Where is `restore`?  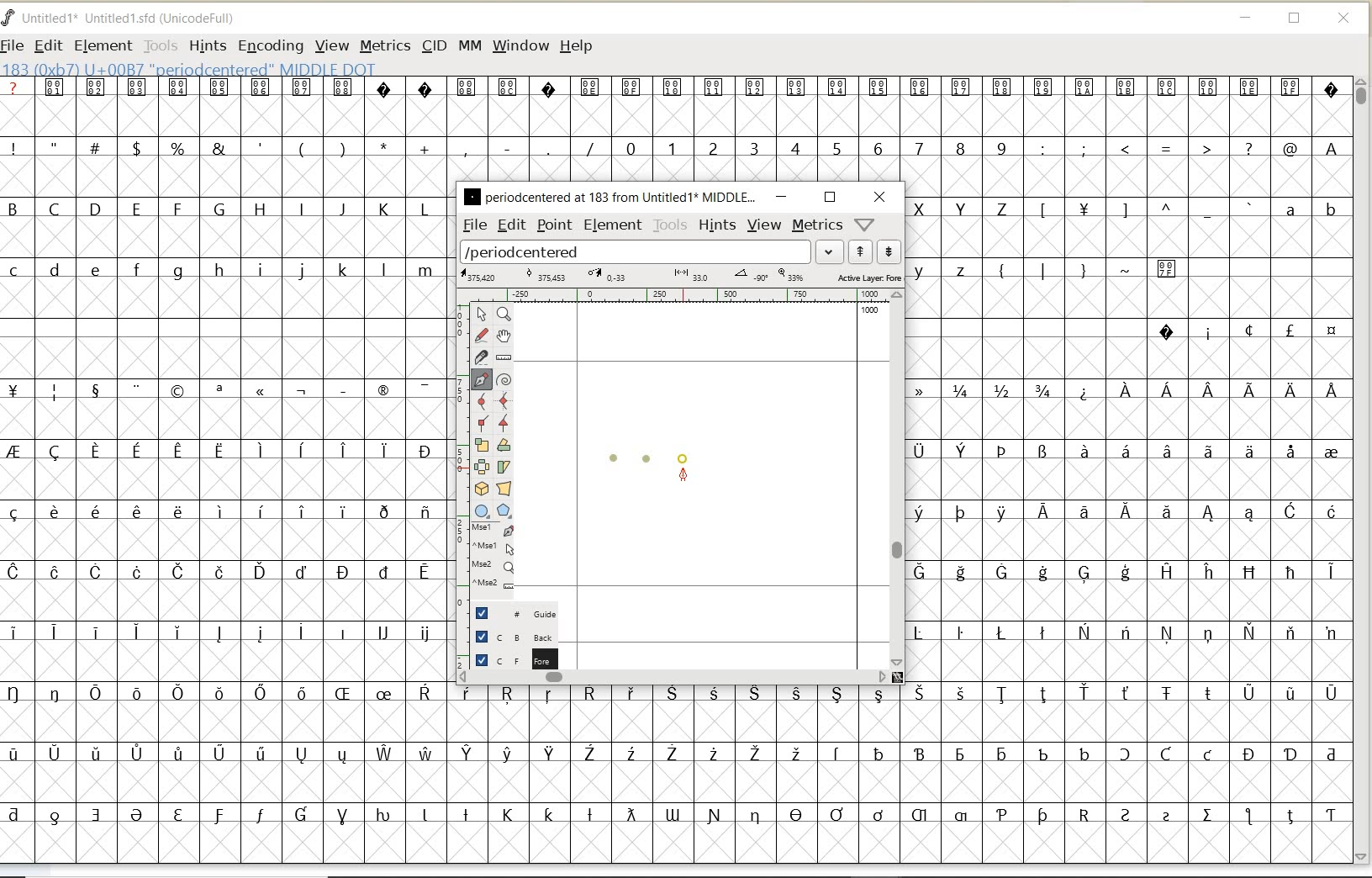
restore is located at coordinates (830, 196).